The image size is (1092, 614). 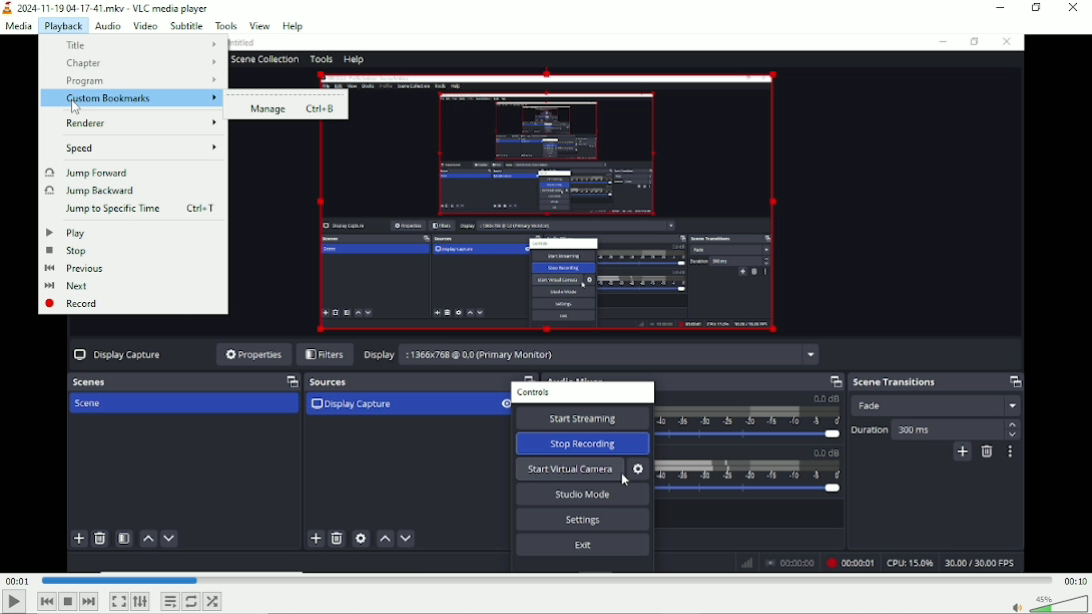 What do you see at coordinates (1001, 8) in the screenshot?
I see `Minimize` at bounding box center [1001, 8].